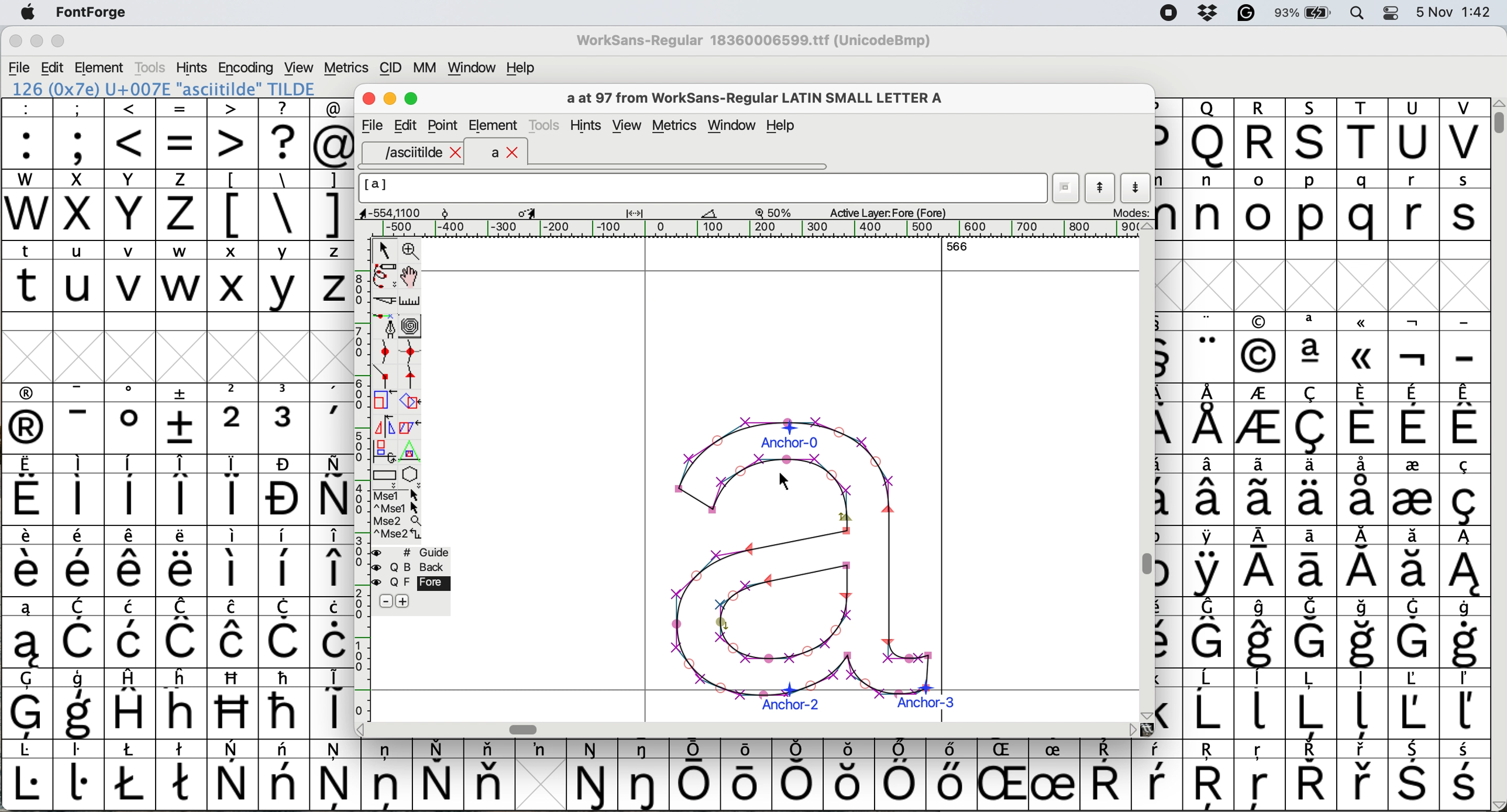  I want to click on symbol, so click(183, 632).